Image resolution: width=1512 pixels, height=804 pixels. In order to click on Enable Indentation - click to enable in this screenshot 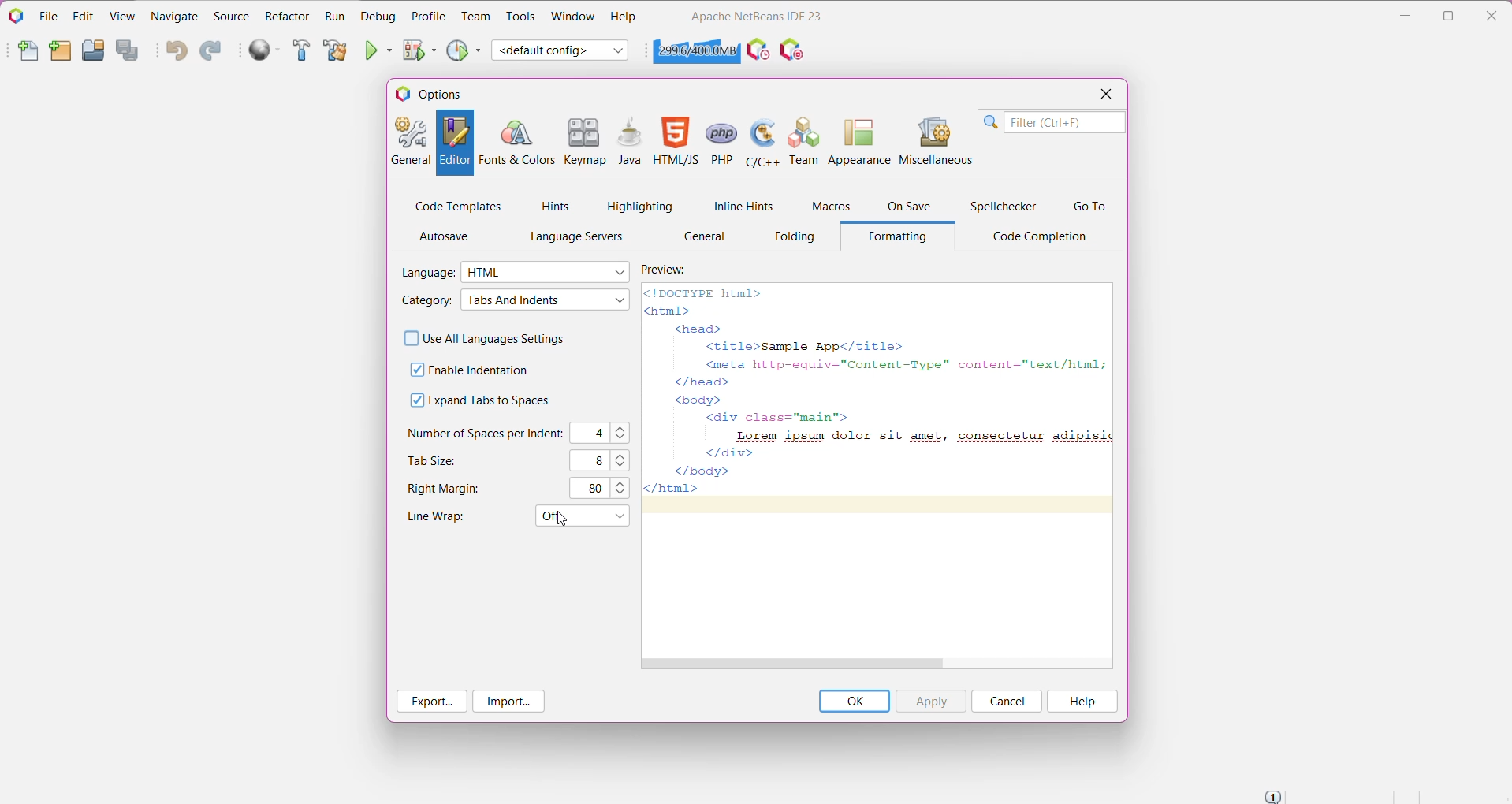, I will do `click(479, 370)`.